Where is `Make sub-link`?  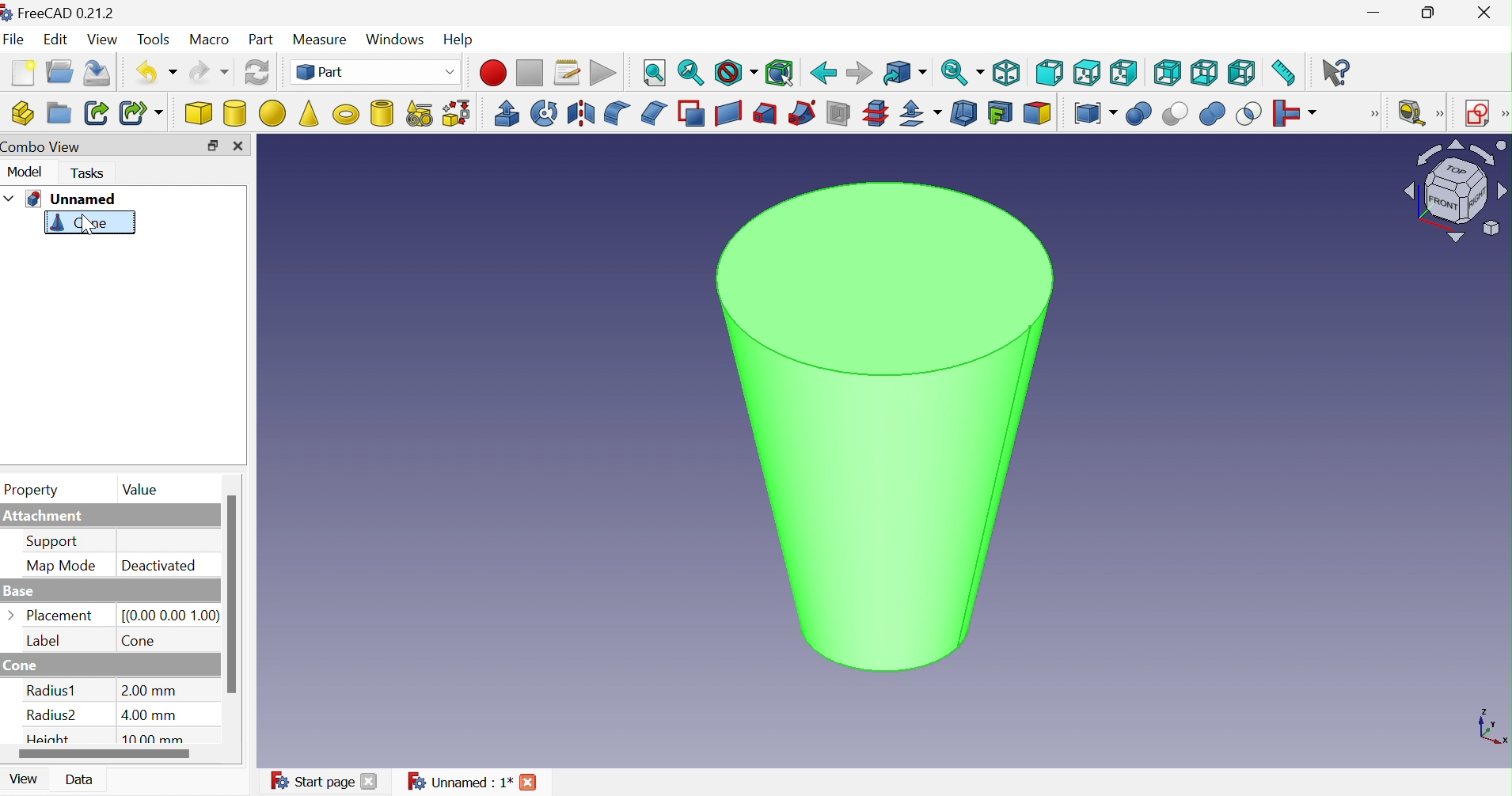 Make sub-link is located at coordinates (140, 112).